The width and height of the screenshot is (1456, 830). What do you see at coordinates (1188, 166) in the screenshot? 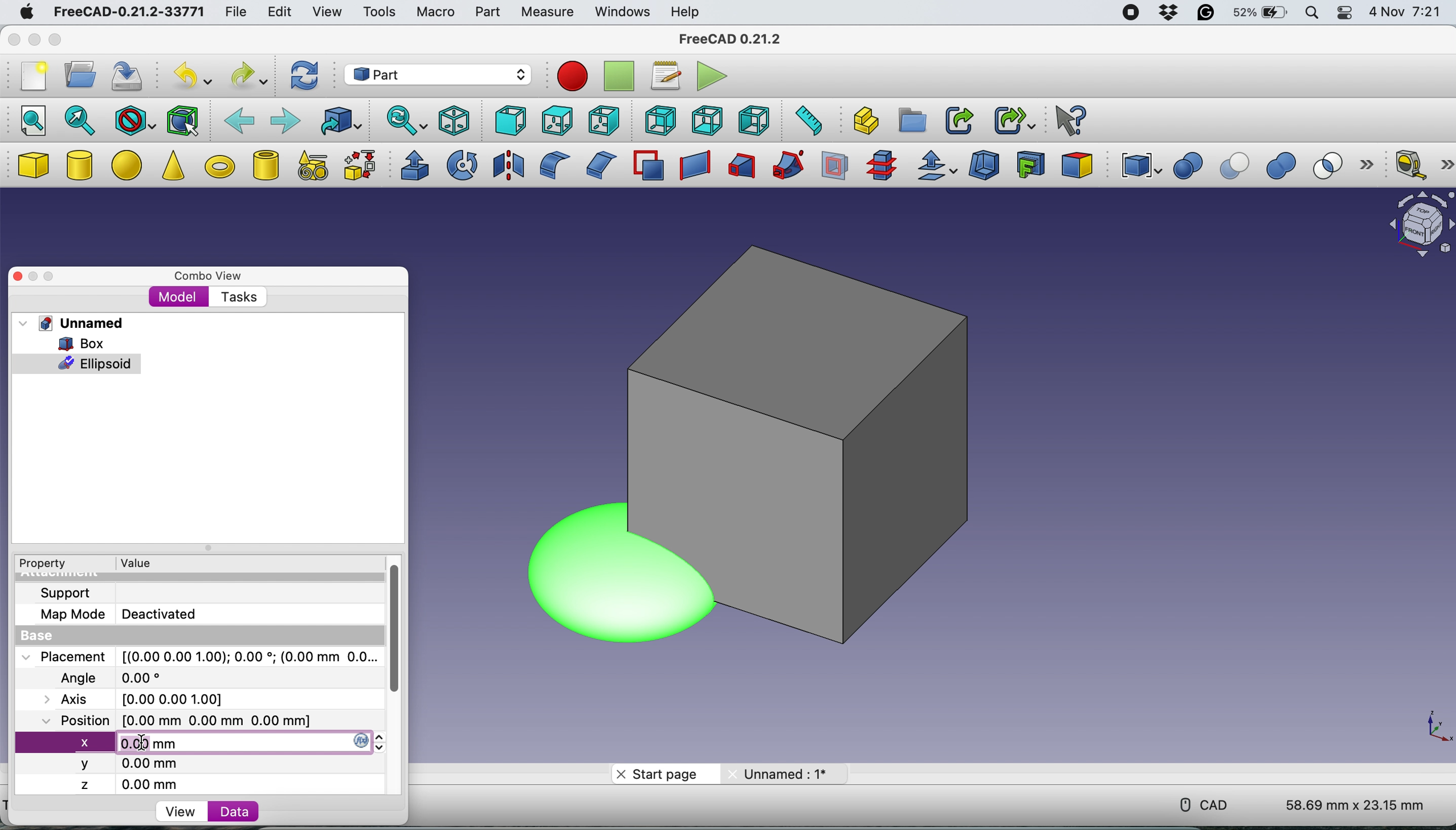
I see `boolean` at bounding box center [1188, 166].